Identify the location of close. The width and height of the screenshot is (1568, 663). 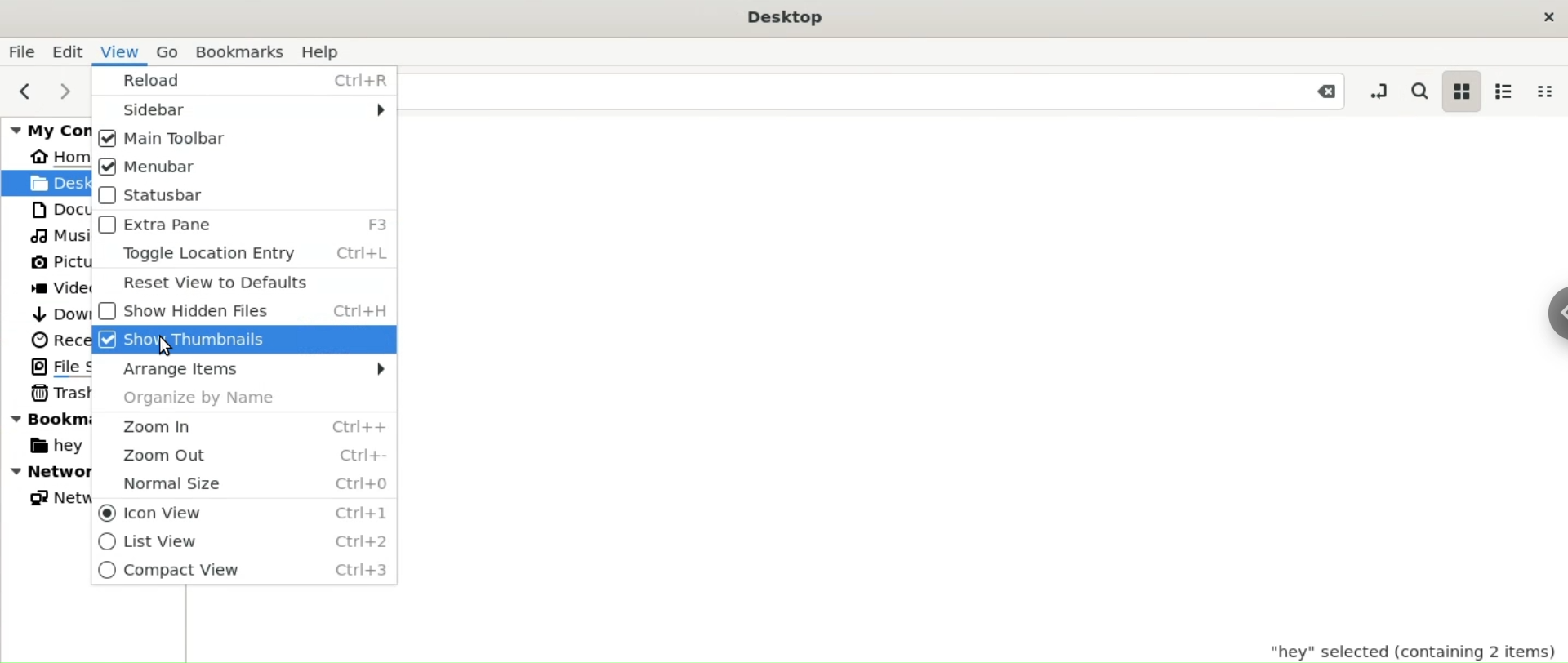
(1548, 18).